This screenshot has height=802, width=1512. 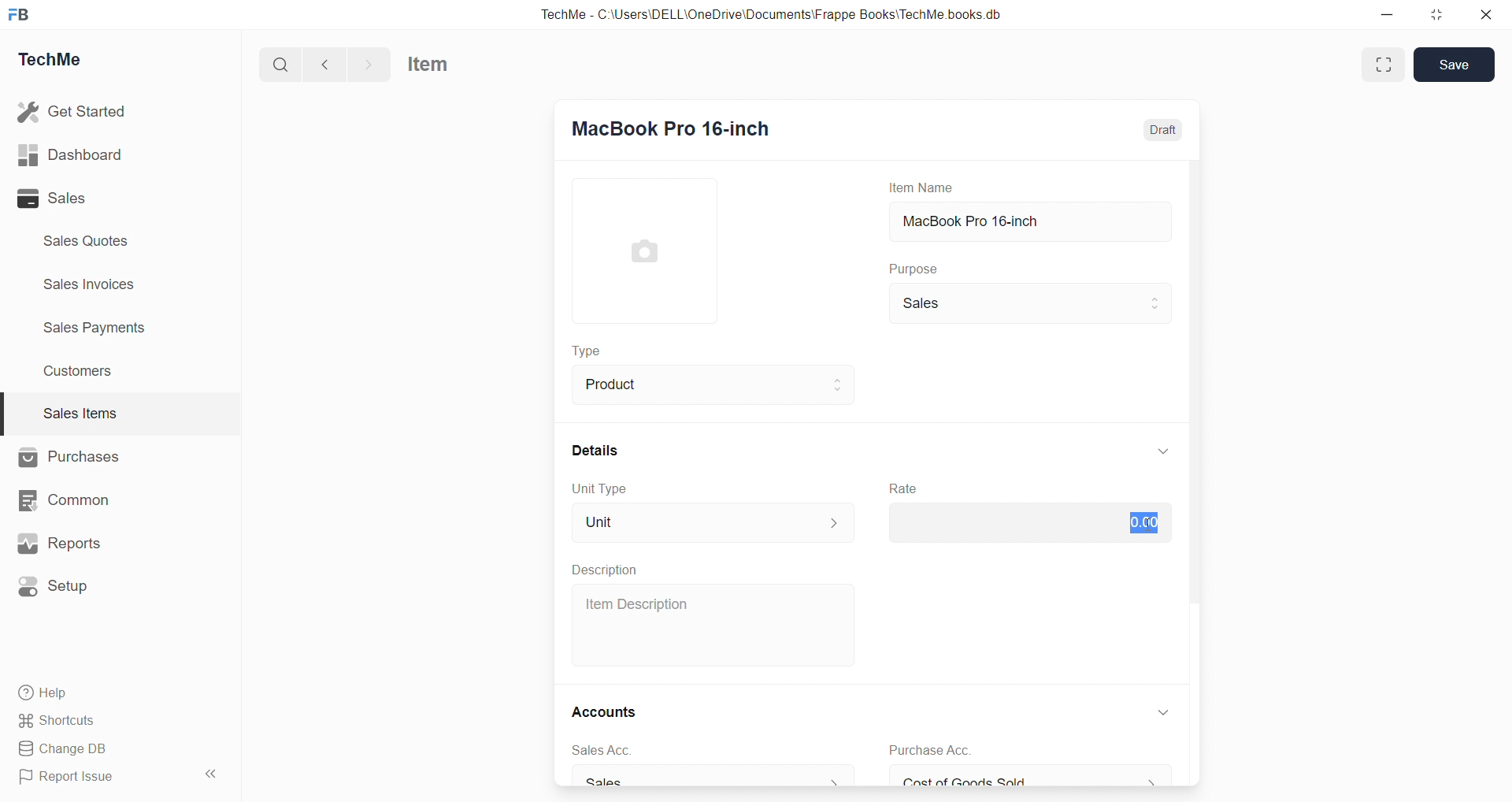 What do you see at coordinates (209, 774) in the screenshot?
I see `<<` at bounding box center [209, 774].